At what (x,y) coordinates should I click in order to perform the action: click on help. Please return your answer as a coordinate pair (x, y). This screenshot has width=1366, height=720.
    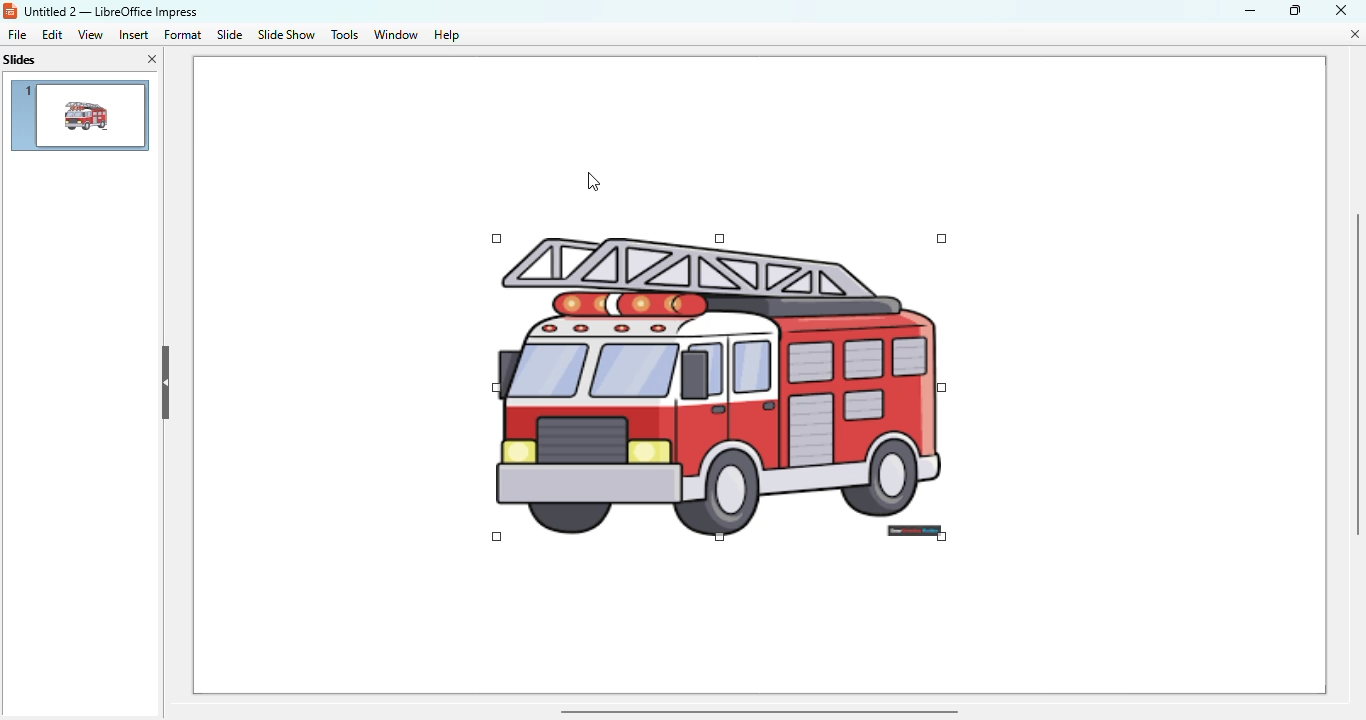
    Looking at the image, I should click on (447, 35).